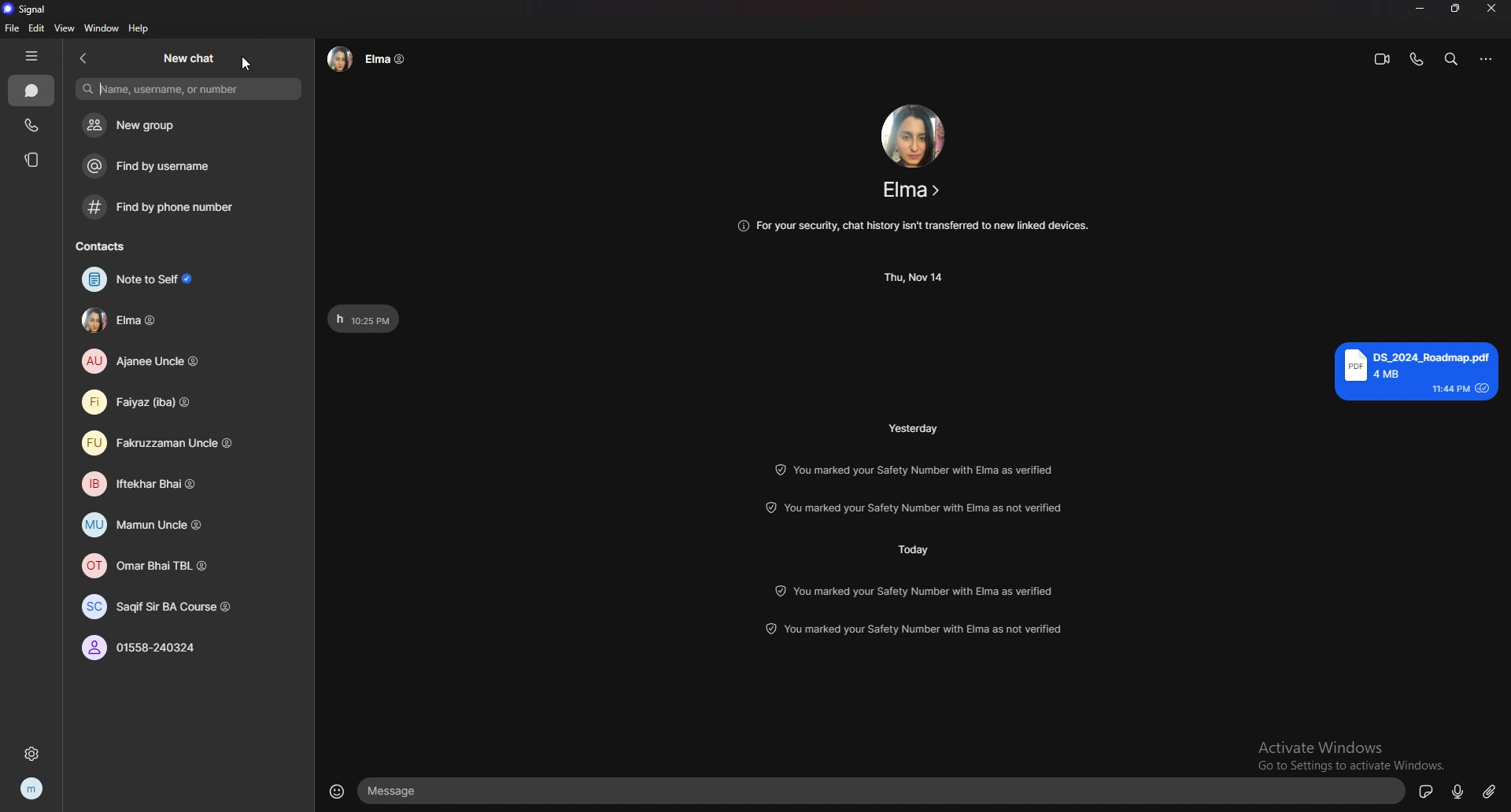  Describe the element at coordinates (32, 125) in the screenshot. I see `calls` at that location.